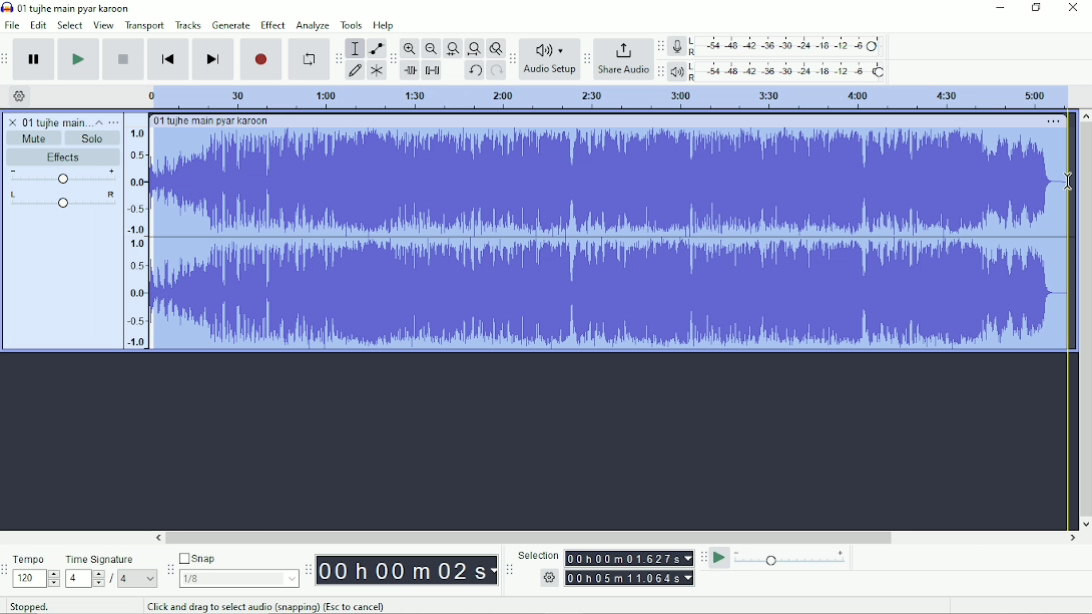 The image size is (1092, 614). What do you see at coordinates (63, 176) in the screenshot?
I see `Volume` at bounding box center [63, 176].